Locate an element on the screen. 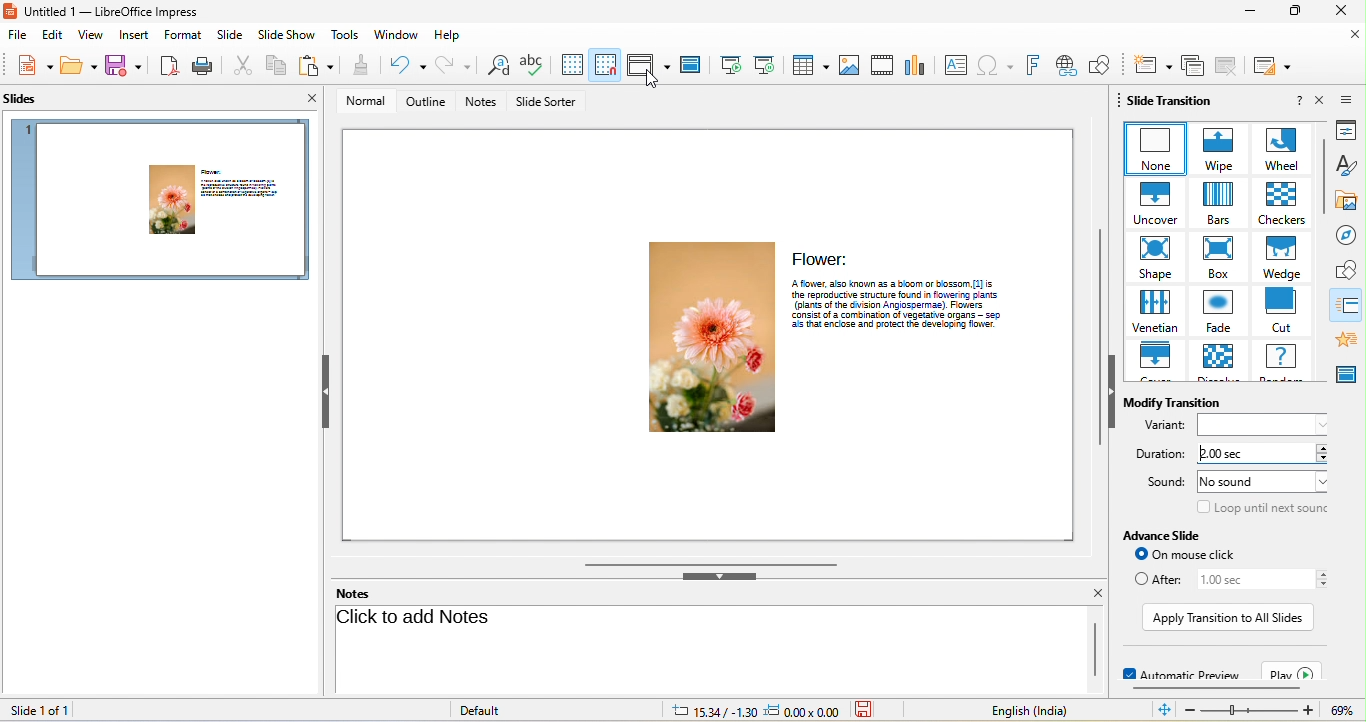 The image size is (1366, 722). close is located at coordinates (1340, 11).